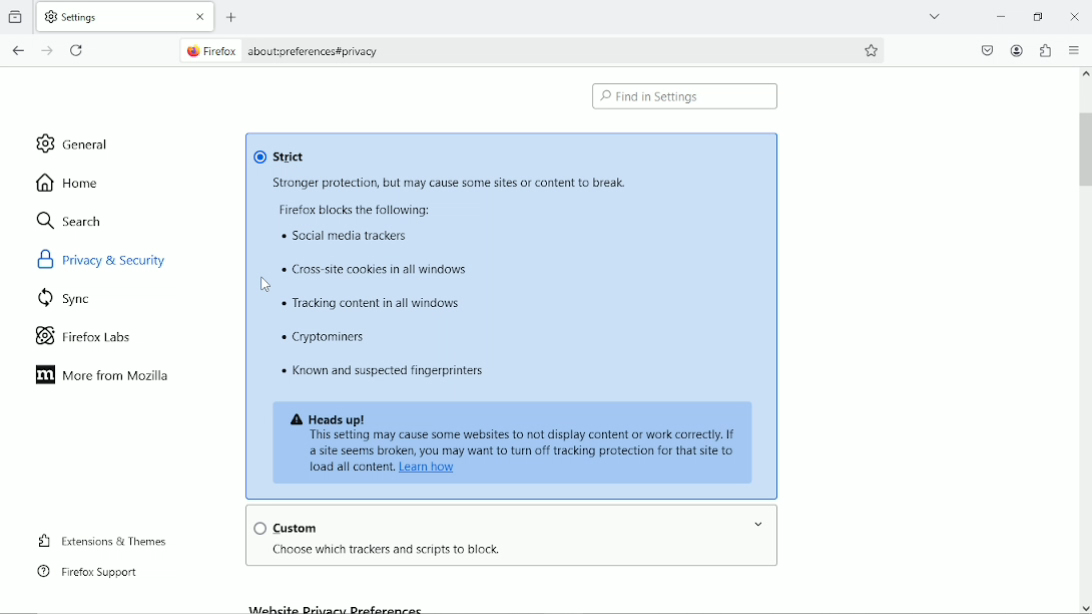 Image resolution: width=1092 pixels, height=614 pixels. What do you see at coordinates (47, 50) in the screenshot?
I see `go forward` at bounding box center [47, 50].